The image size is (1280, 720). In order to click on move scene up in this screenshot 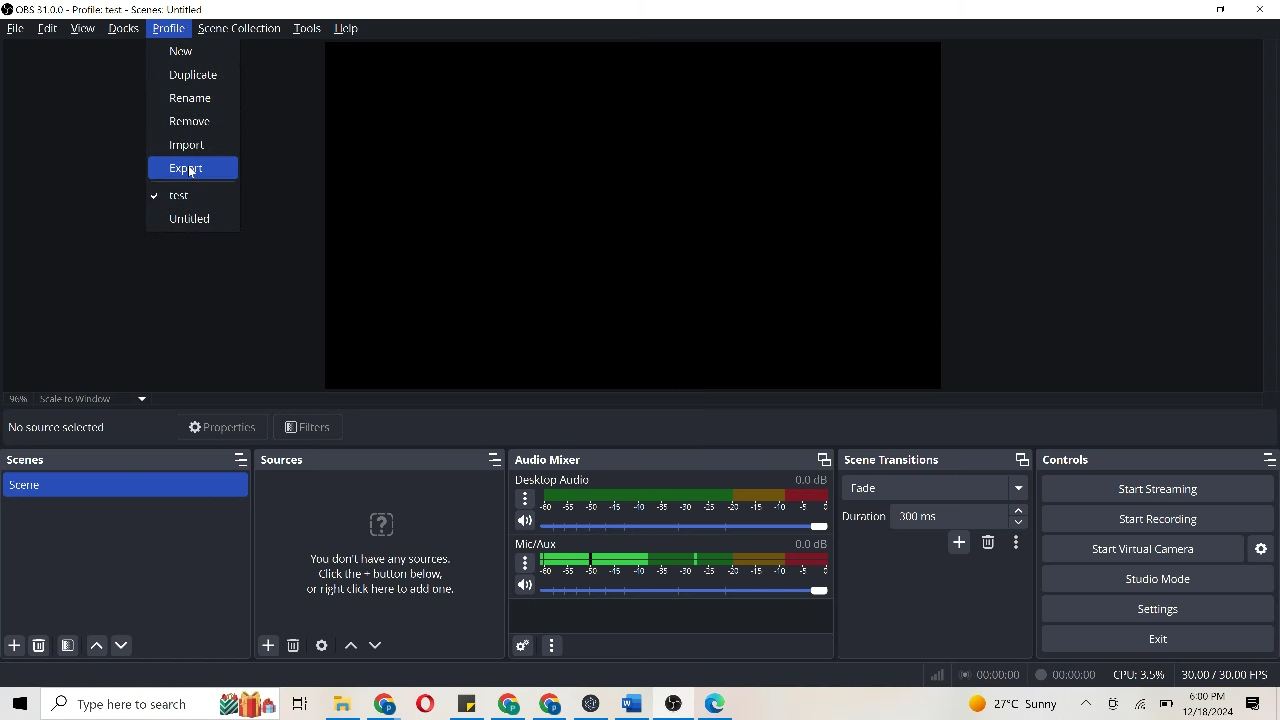, I will do `click(97, 643)`.